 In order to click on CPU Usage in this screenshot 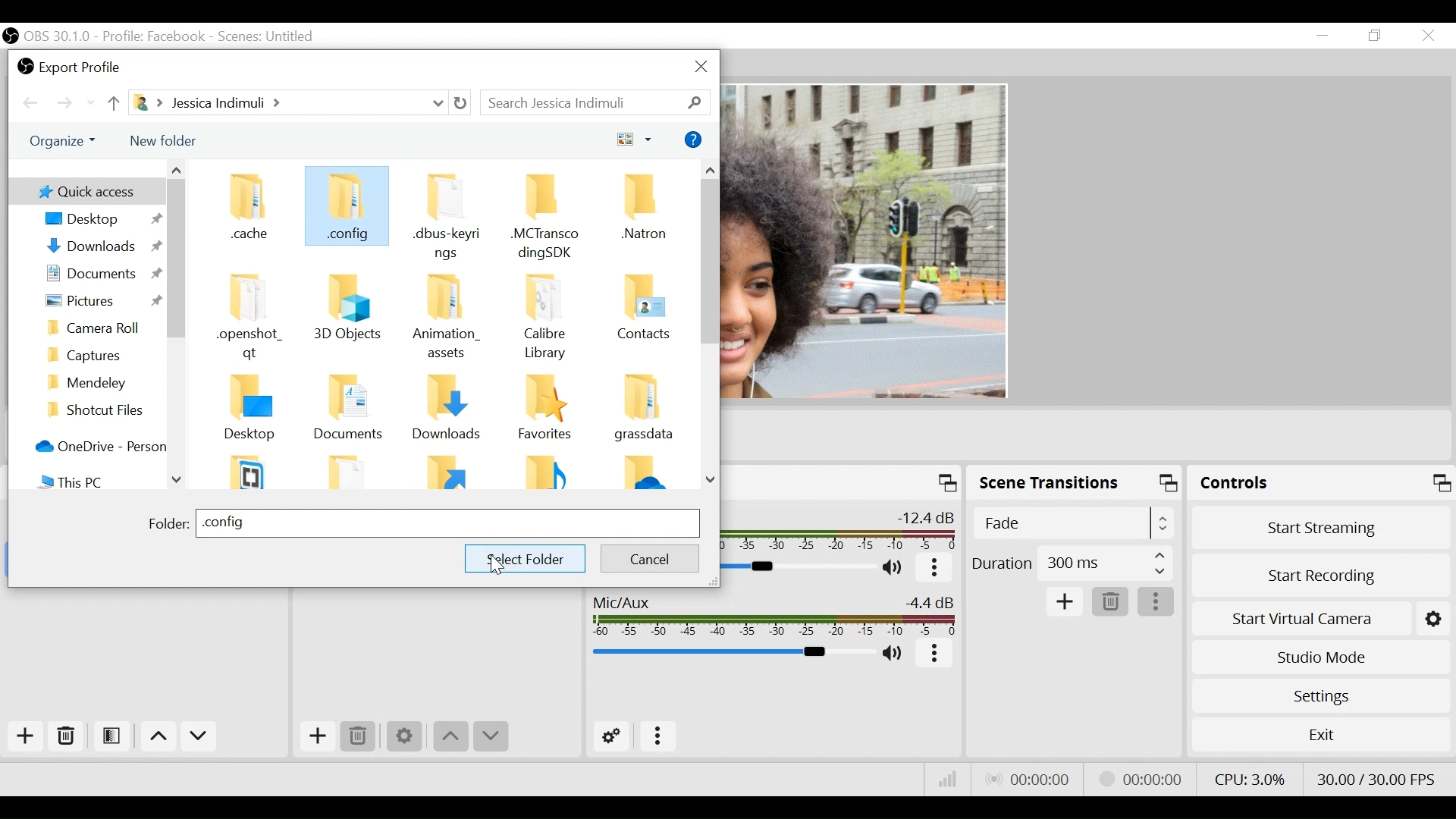, I will do `click(1250, 777)`.